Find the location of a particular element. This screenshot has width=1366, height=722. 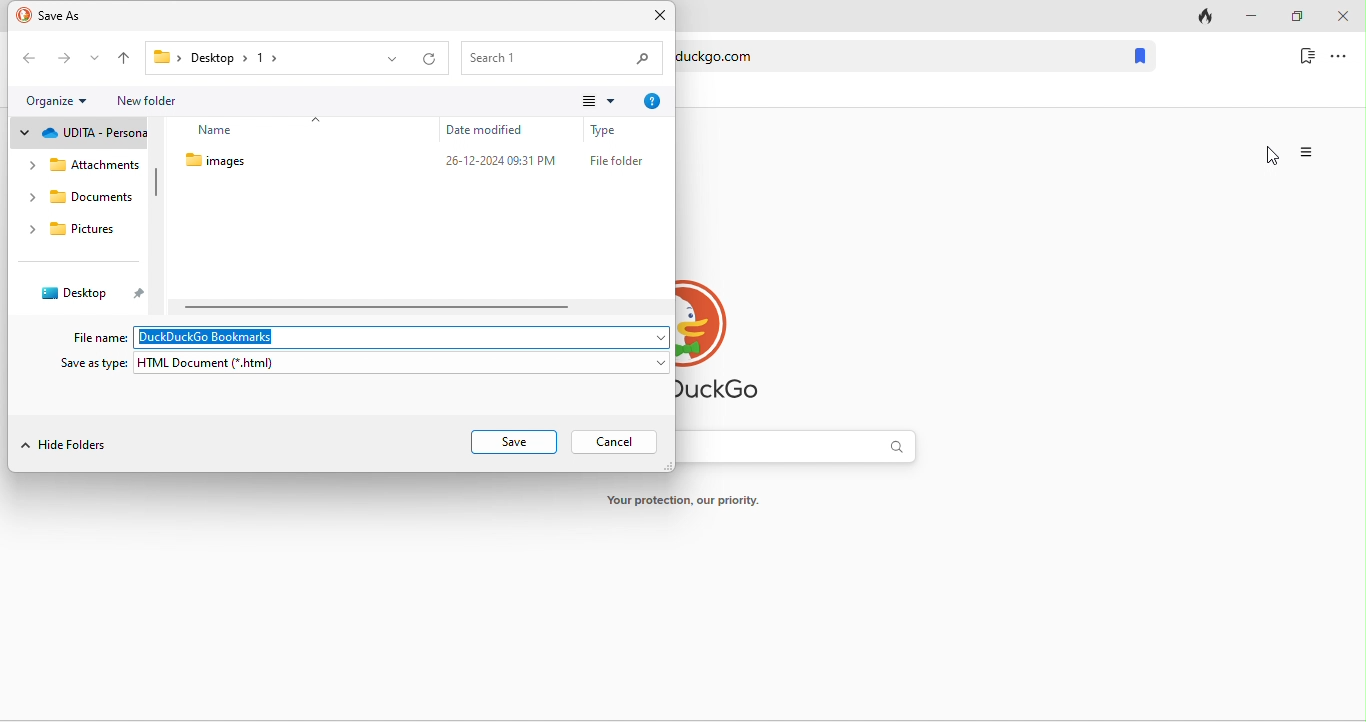

duck duck go logo is located at coordinates (734, 344).